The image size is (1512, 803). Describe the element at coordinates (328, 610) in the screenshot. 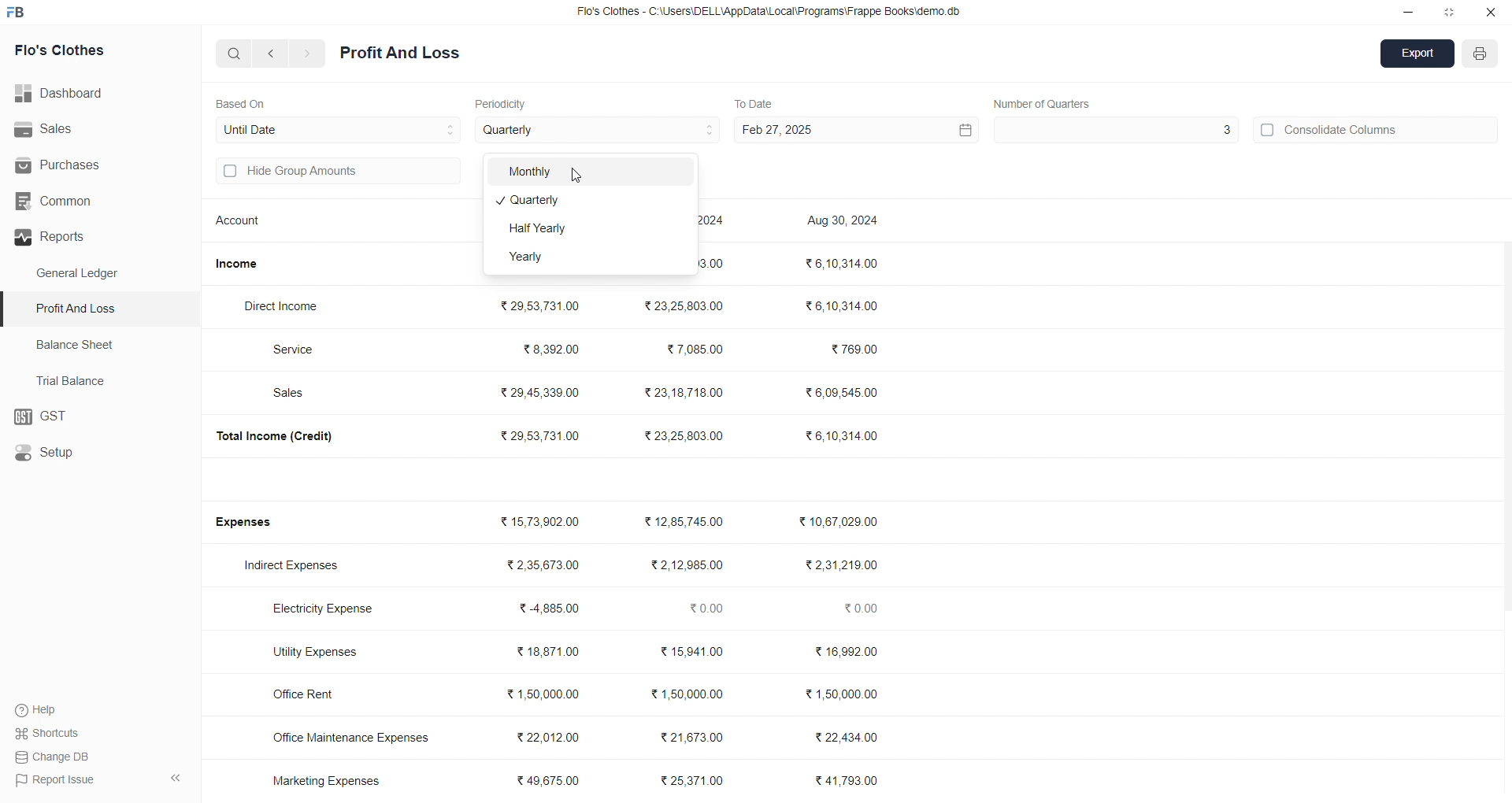

I see `Electricity Expense` at that location.